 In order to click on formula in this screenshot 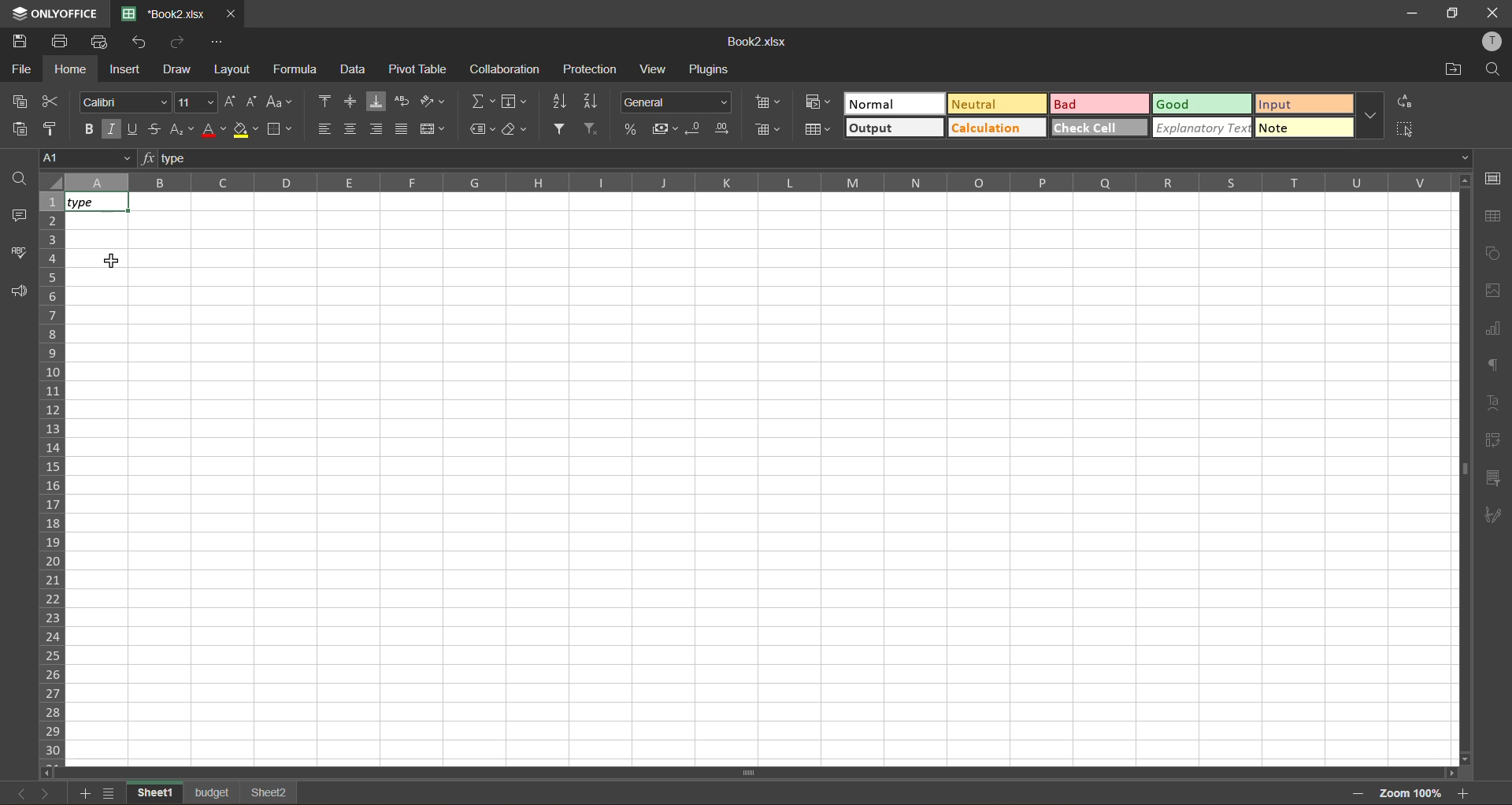, I will do `click(298, 72)`.